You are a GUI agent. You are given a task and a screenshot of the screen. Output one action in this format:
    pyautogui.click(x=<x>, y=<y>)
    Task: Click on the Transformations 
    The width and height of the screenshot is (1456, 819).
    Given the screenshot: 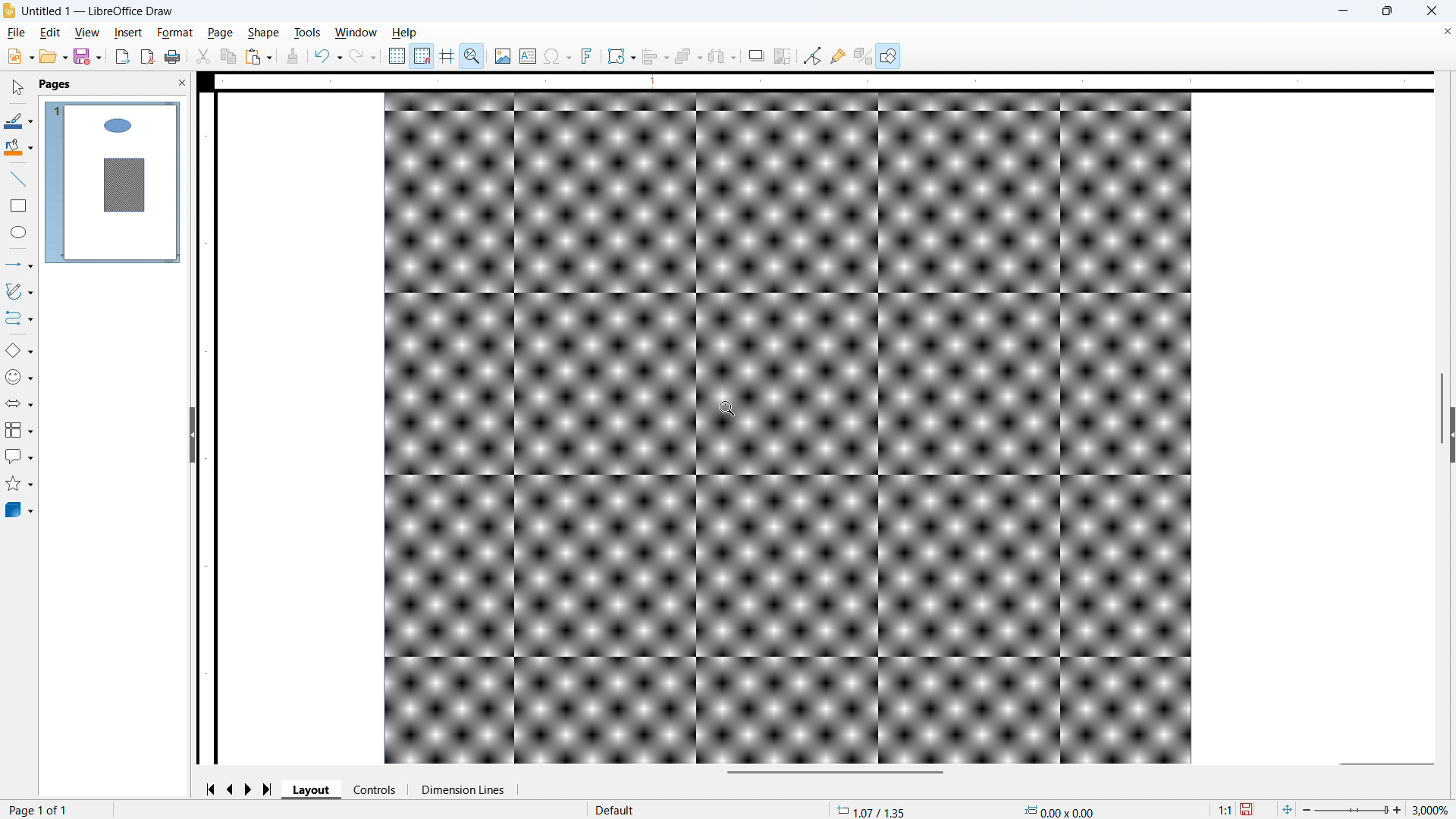 What is the action you would take?
    pyautogui.click(x=621, y=57)
    